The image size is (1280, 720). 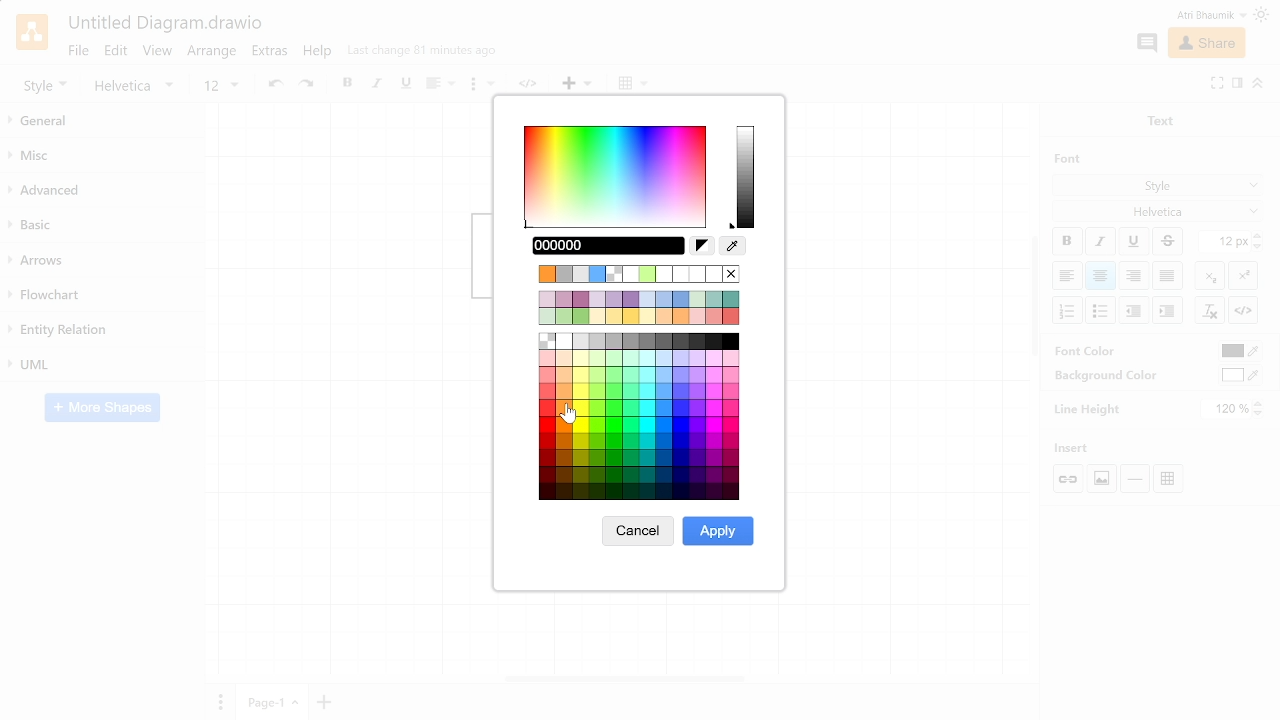 What do you see at coordinates (1172, 477) in the screenshot?
I see `Table` at bounding box center [1172, 477].